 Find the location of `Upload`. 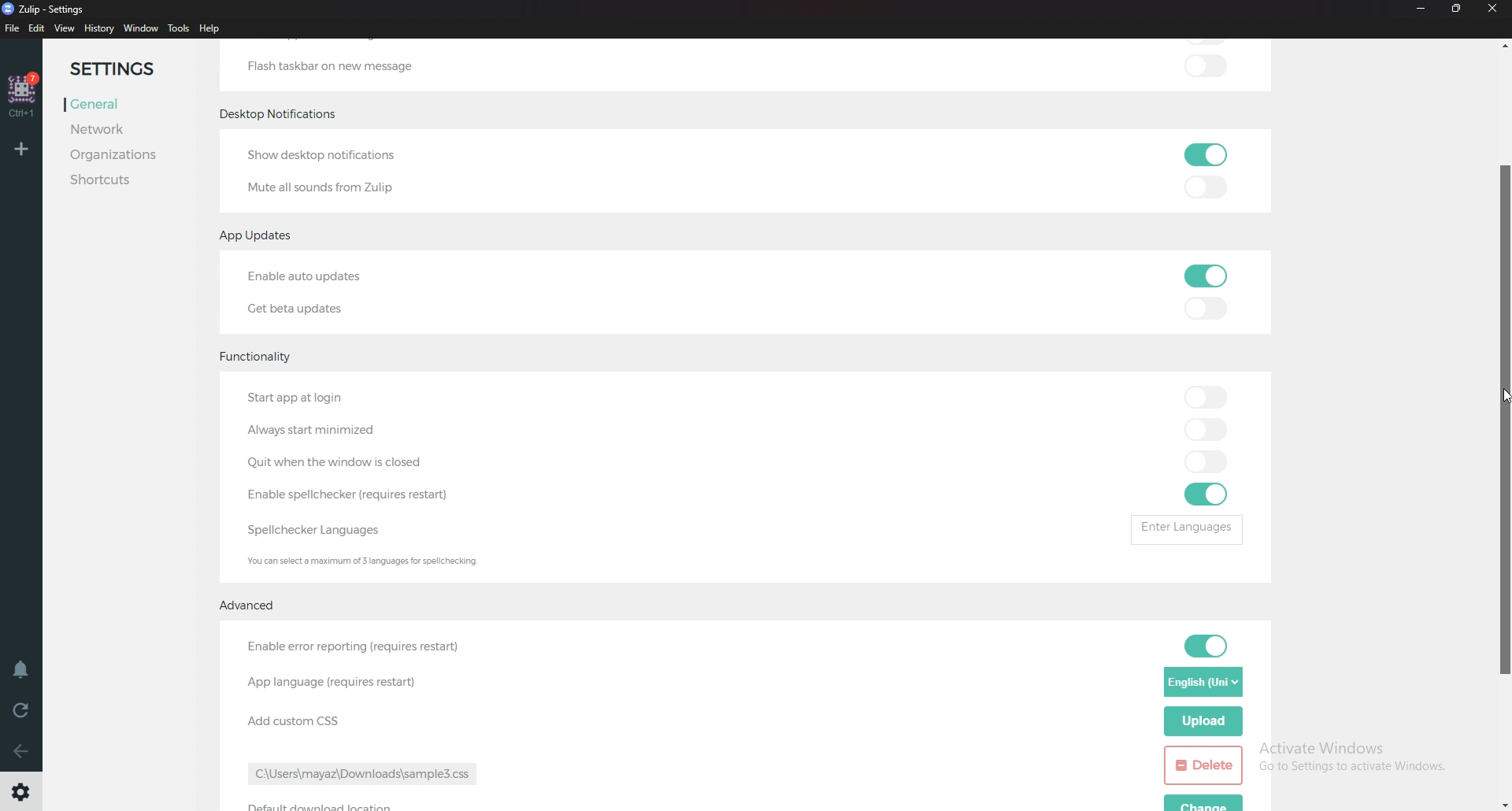

Upload is located at coordinates (1203, 722).